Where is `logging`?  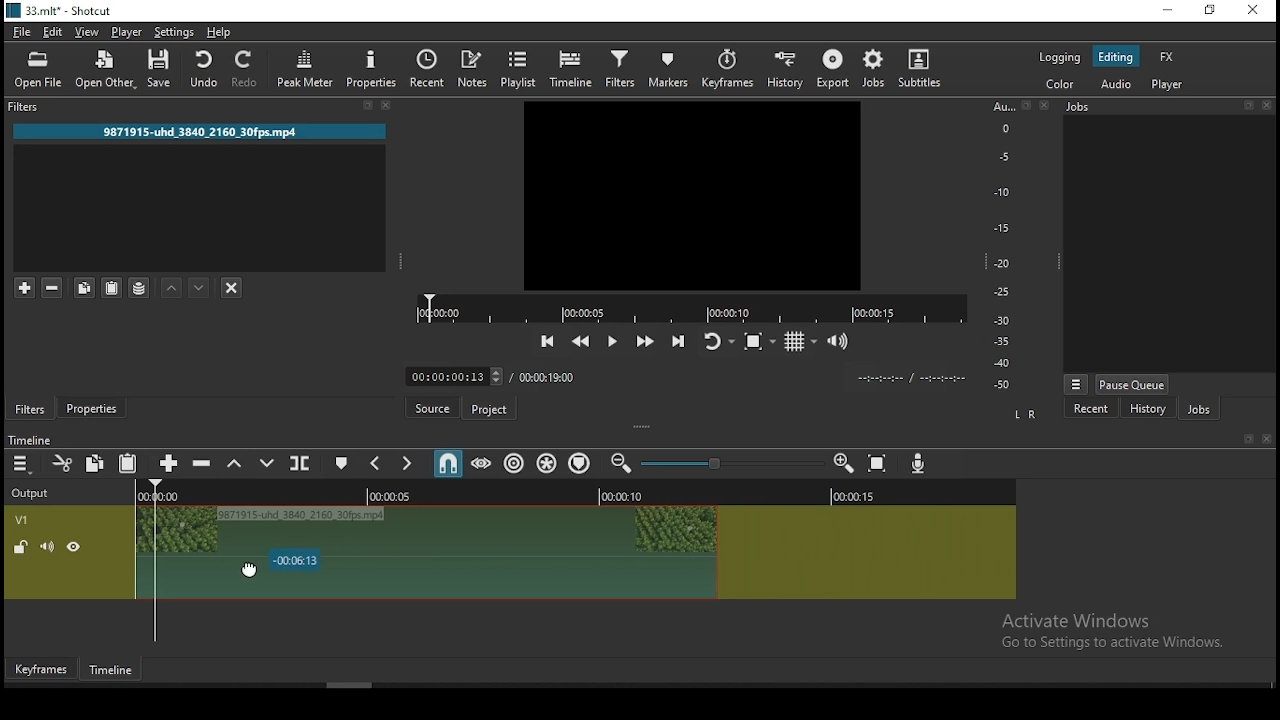 logging is located at coordinates (1062, 59).